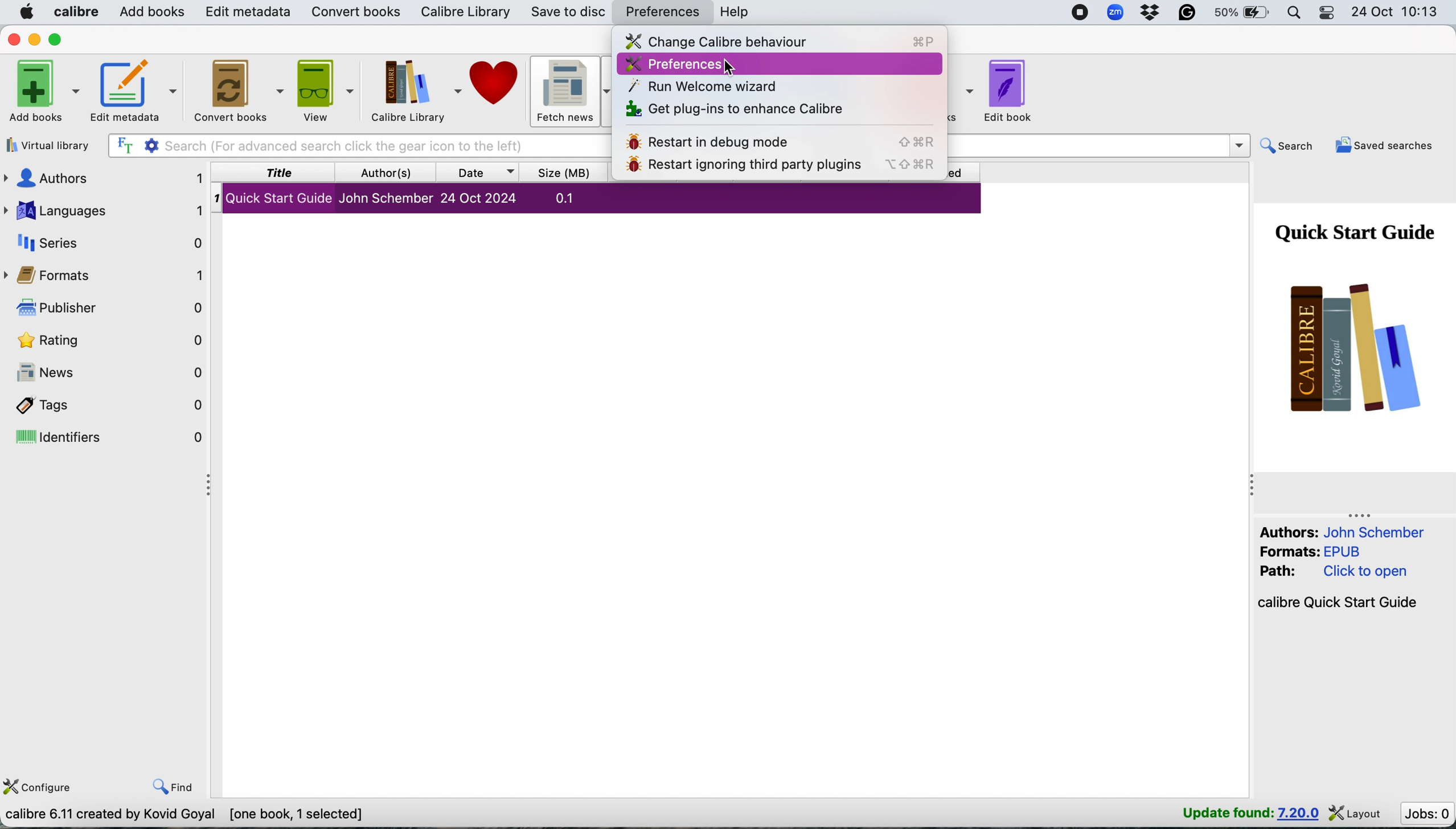 The height and width of the screenshot is (829, 1456). What do you see at coordinates (282, 173) in the screenshot?
I see `title` at bounding box center [282, 173].